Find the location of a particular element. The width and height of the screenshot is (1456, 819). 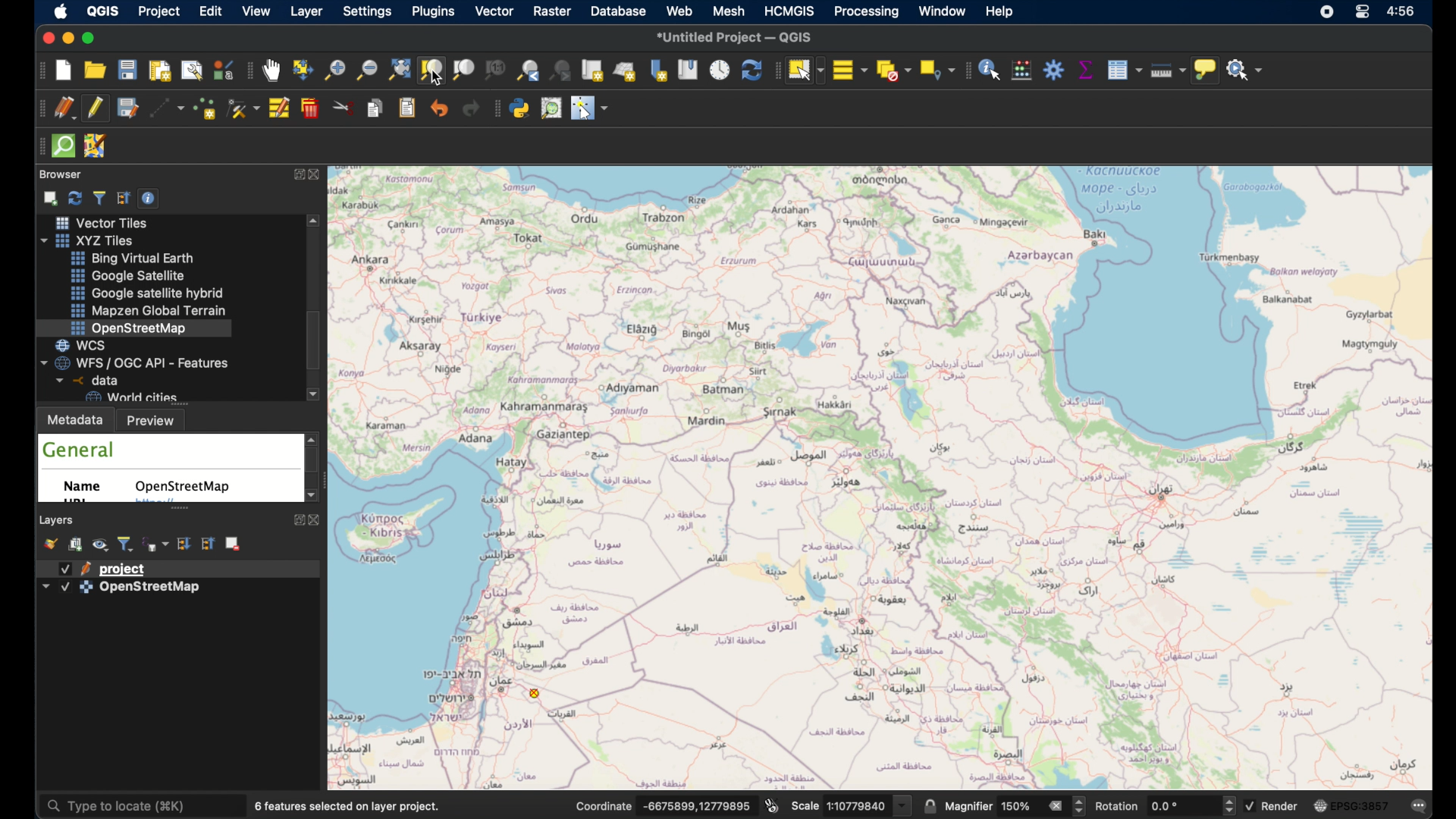

screen recorder icon is located at coordinates (1327, 13).